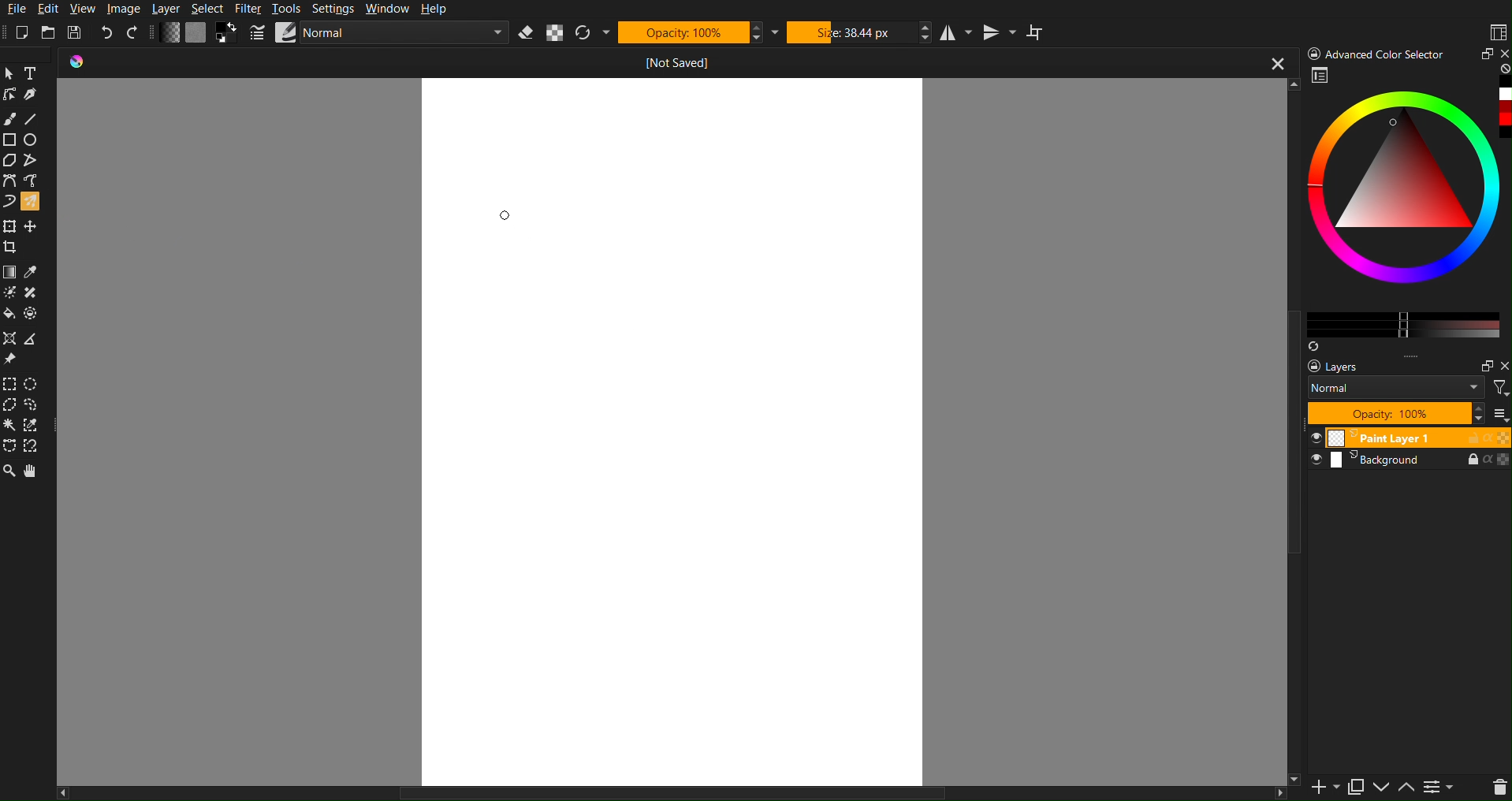 The height and width of the screenshot is (801, 1512). Describe the element at coordinates (10, 95) in the screenshot. I see `Linework` at that location.